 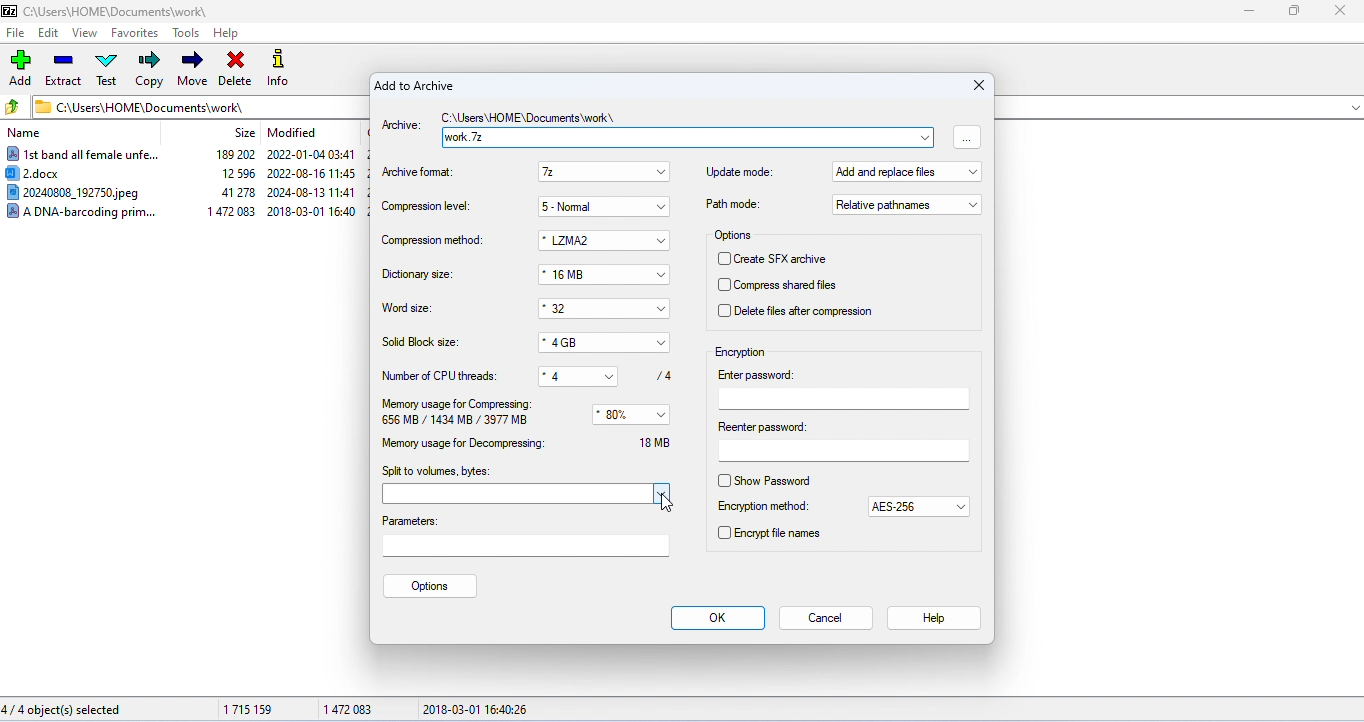 I want to click on info, so click(x=283, y=70).